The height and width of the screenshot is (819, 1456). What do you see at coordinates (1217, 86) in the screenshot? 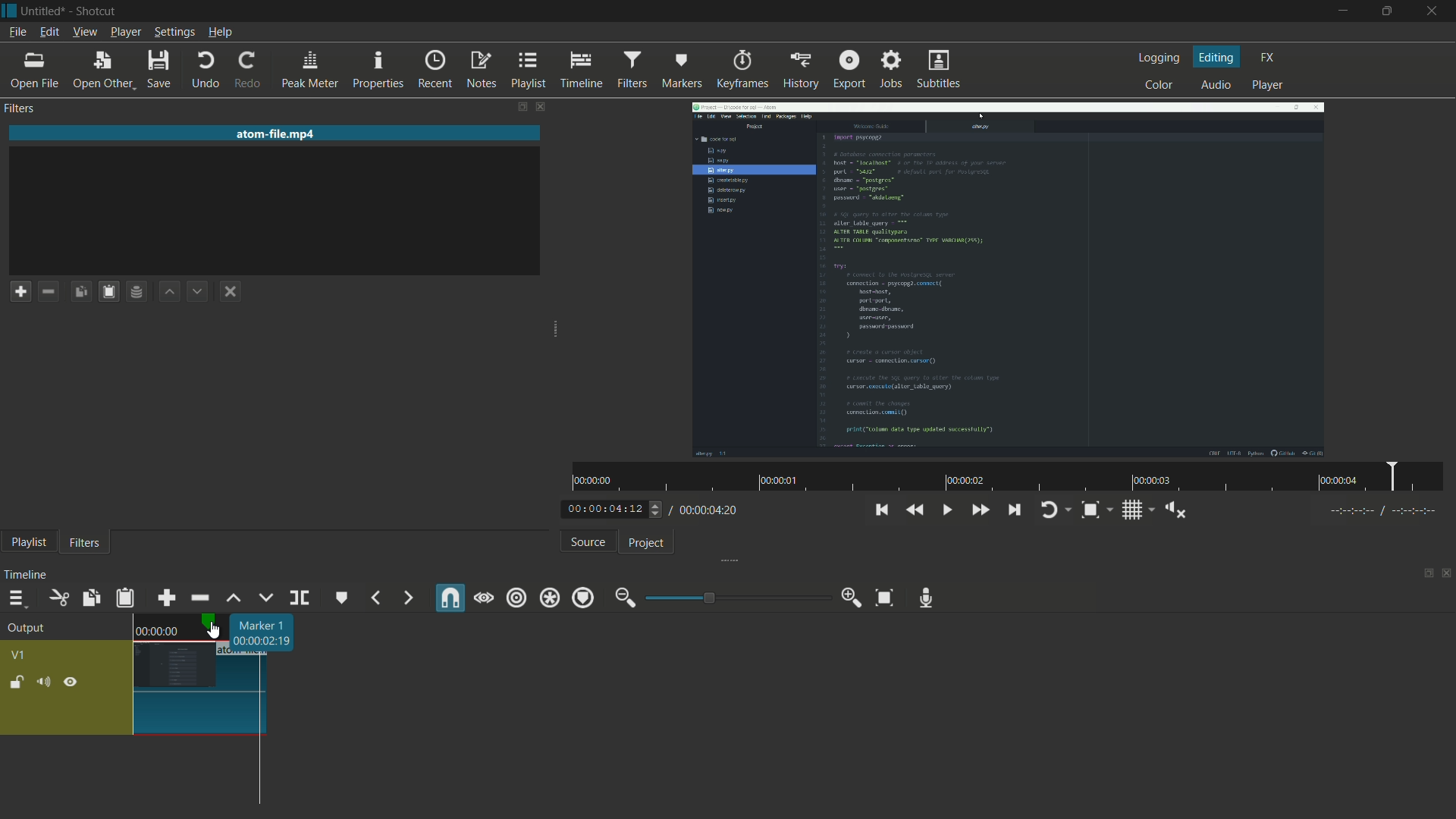
I see `audio` at bounding box center [1217, 86].